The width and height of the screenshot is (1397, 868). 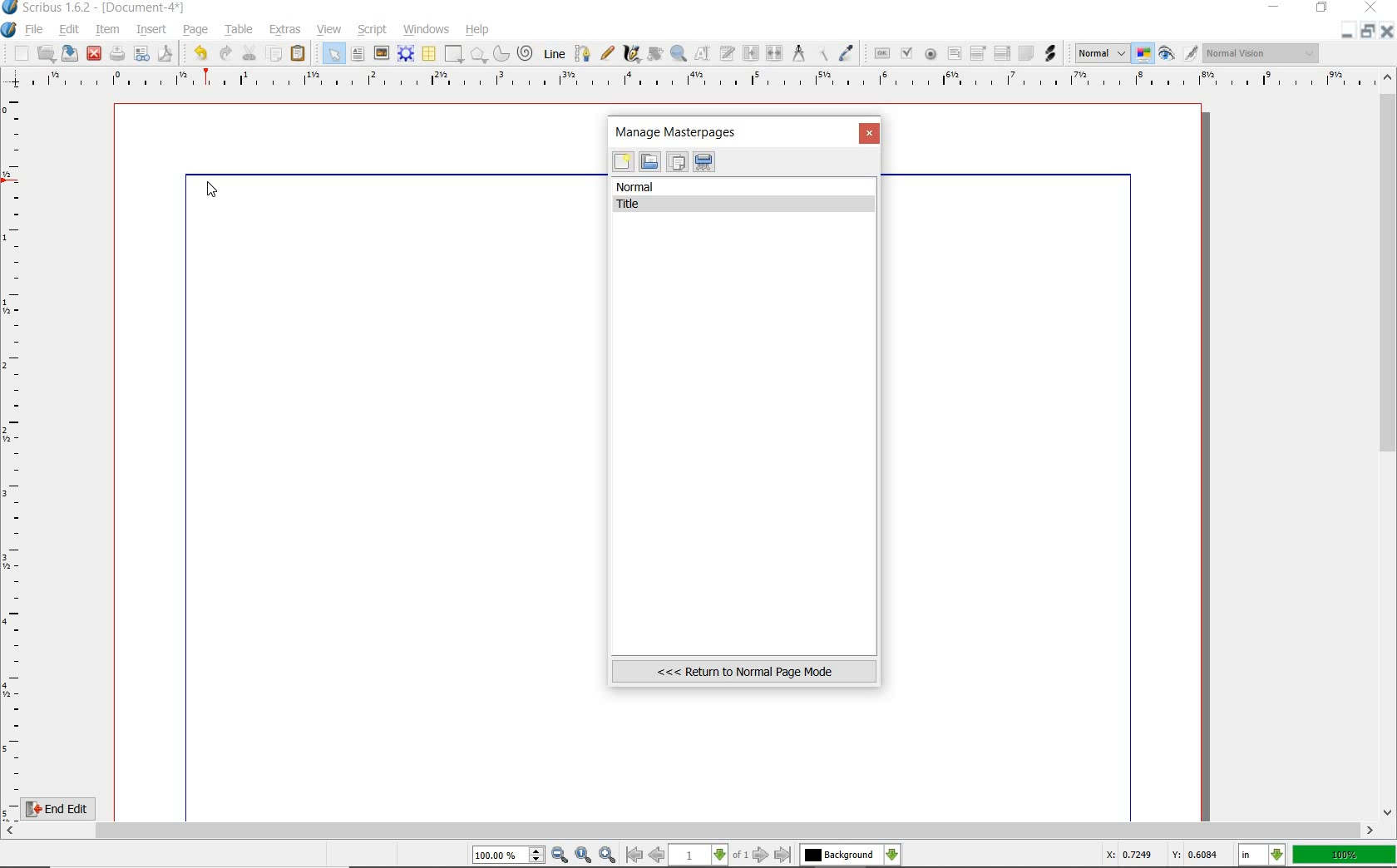 I want to click on table, so click(x=428, y=54).